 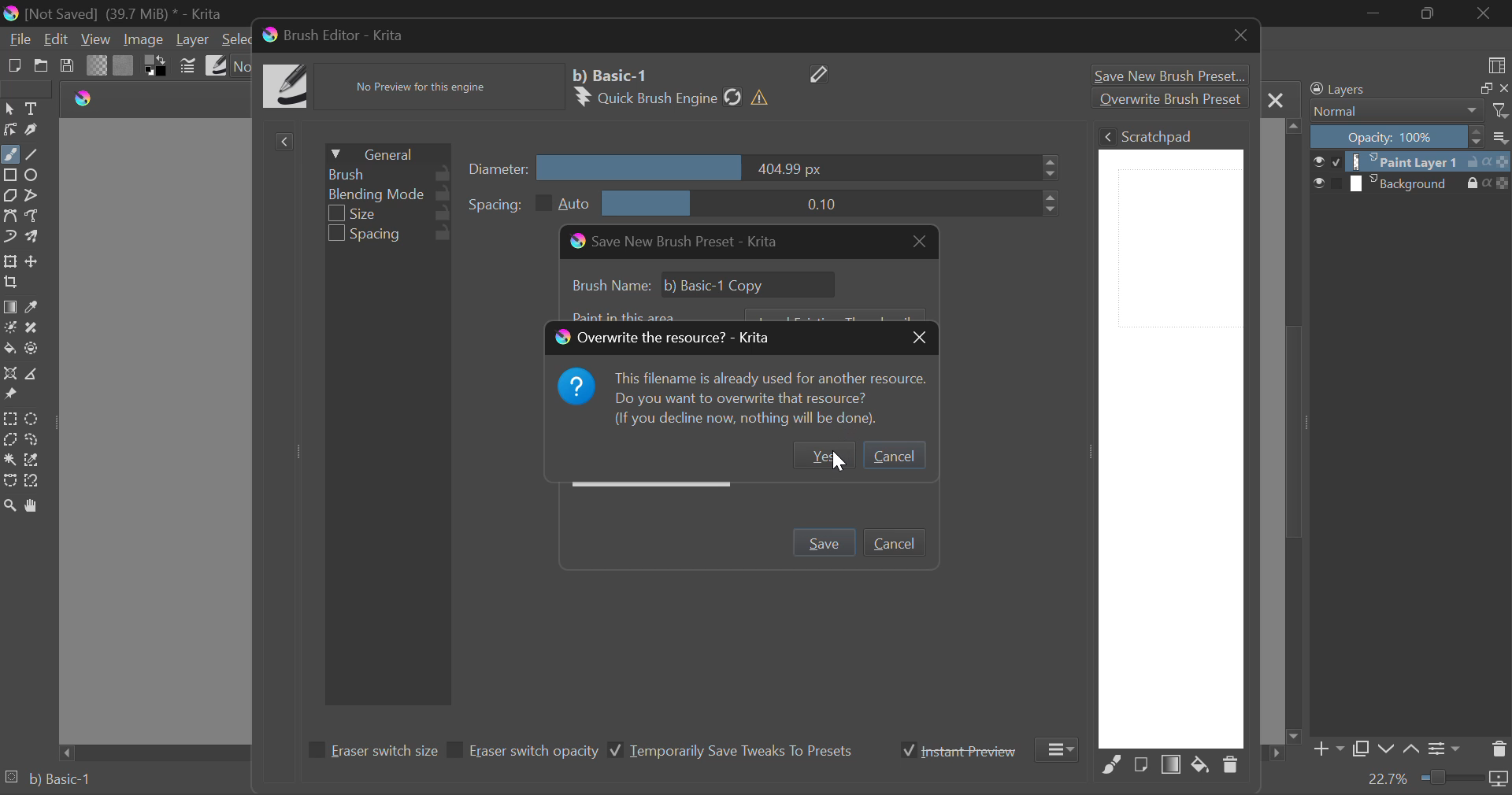 What do you see at coordinates (676, 243) in the screenshot?
I see `Window Title` at bounding box center [676, 243].